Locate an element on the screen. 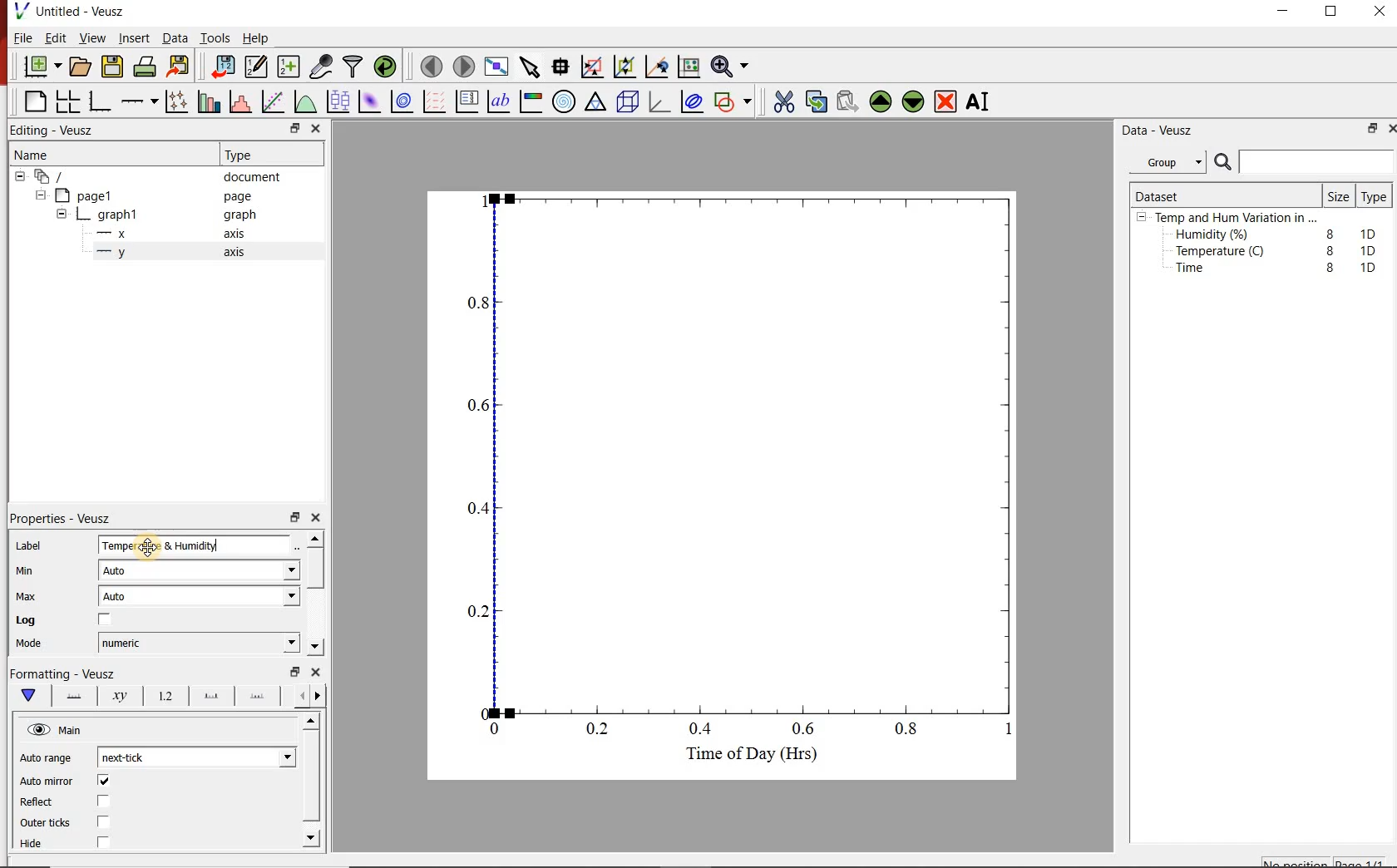 This screenshot has width=1397, height=868. arrange graphs in a grid is located at coordinates (70, 99).